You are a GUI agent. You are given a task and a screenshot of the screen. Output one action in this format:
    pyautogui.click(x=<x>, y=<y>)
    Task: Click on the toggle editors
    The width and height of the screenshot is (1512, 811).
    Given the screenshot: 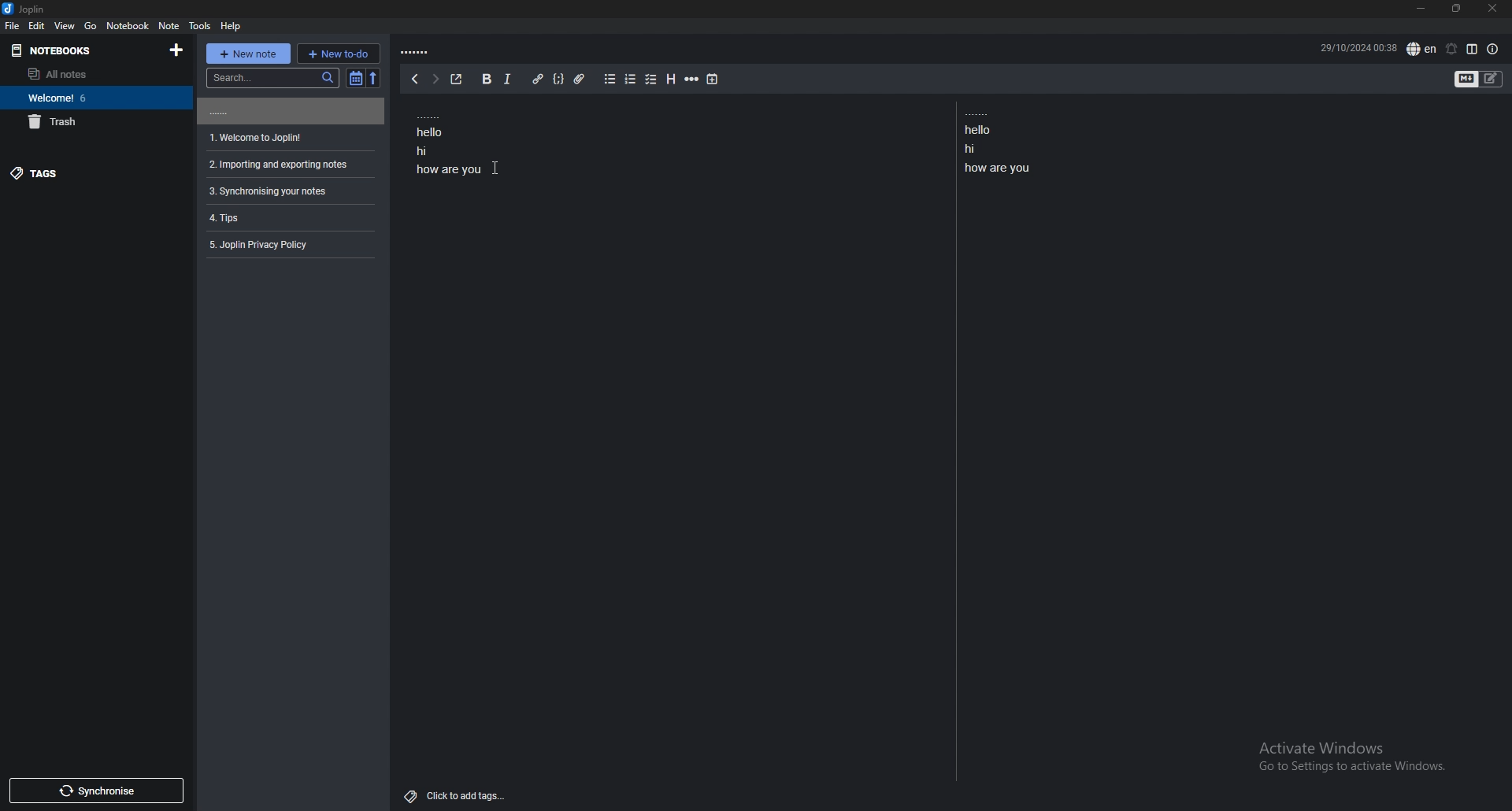 What is the action you would take?
    pyautogui.click(x=1491, y=79)
    